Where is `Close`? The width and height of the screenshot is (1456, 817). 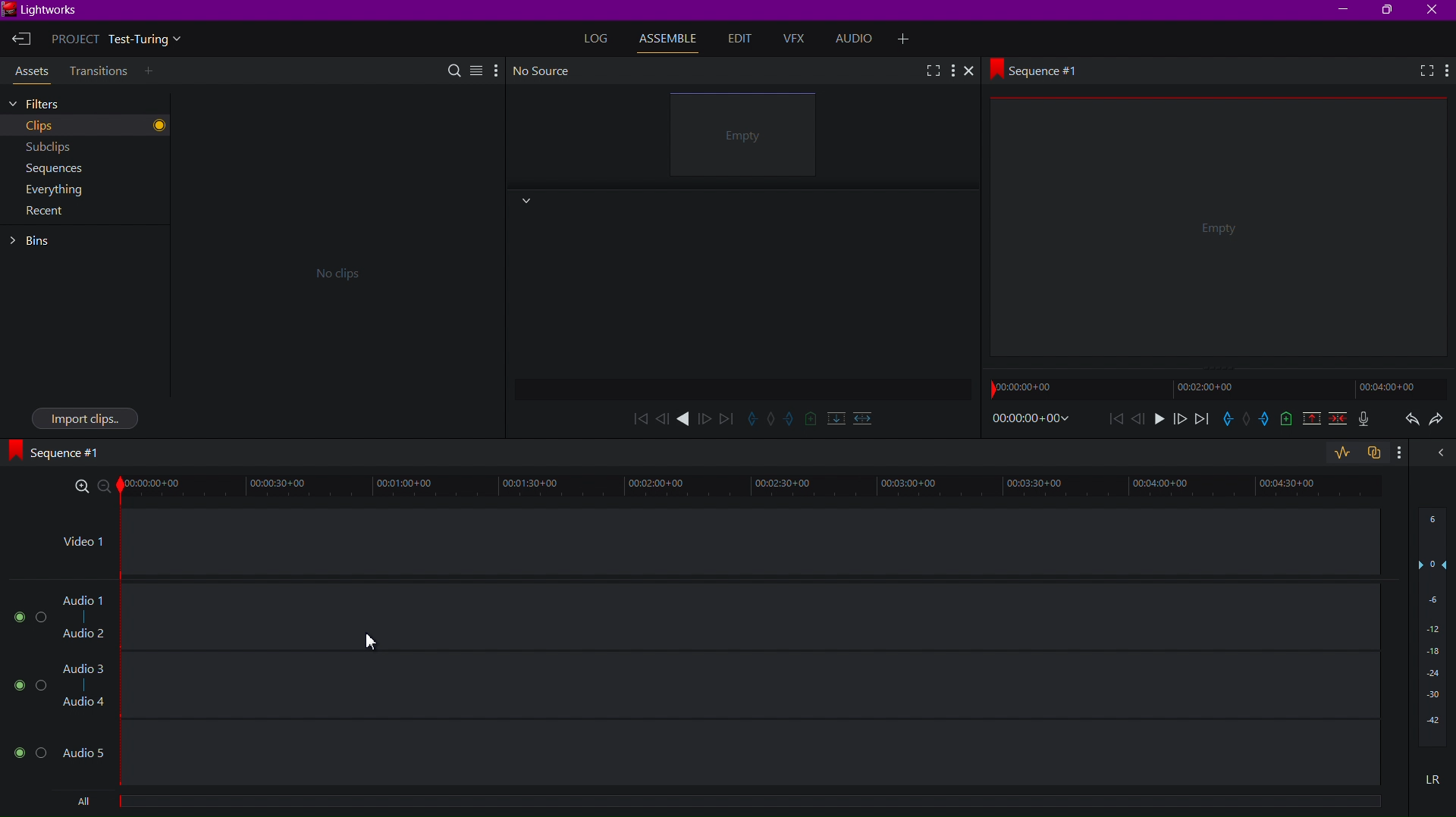 Close is located at coordinates (1435, 10).